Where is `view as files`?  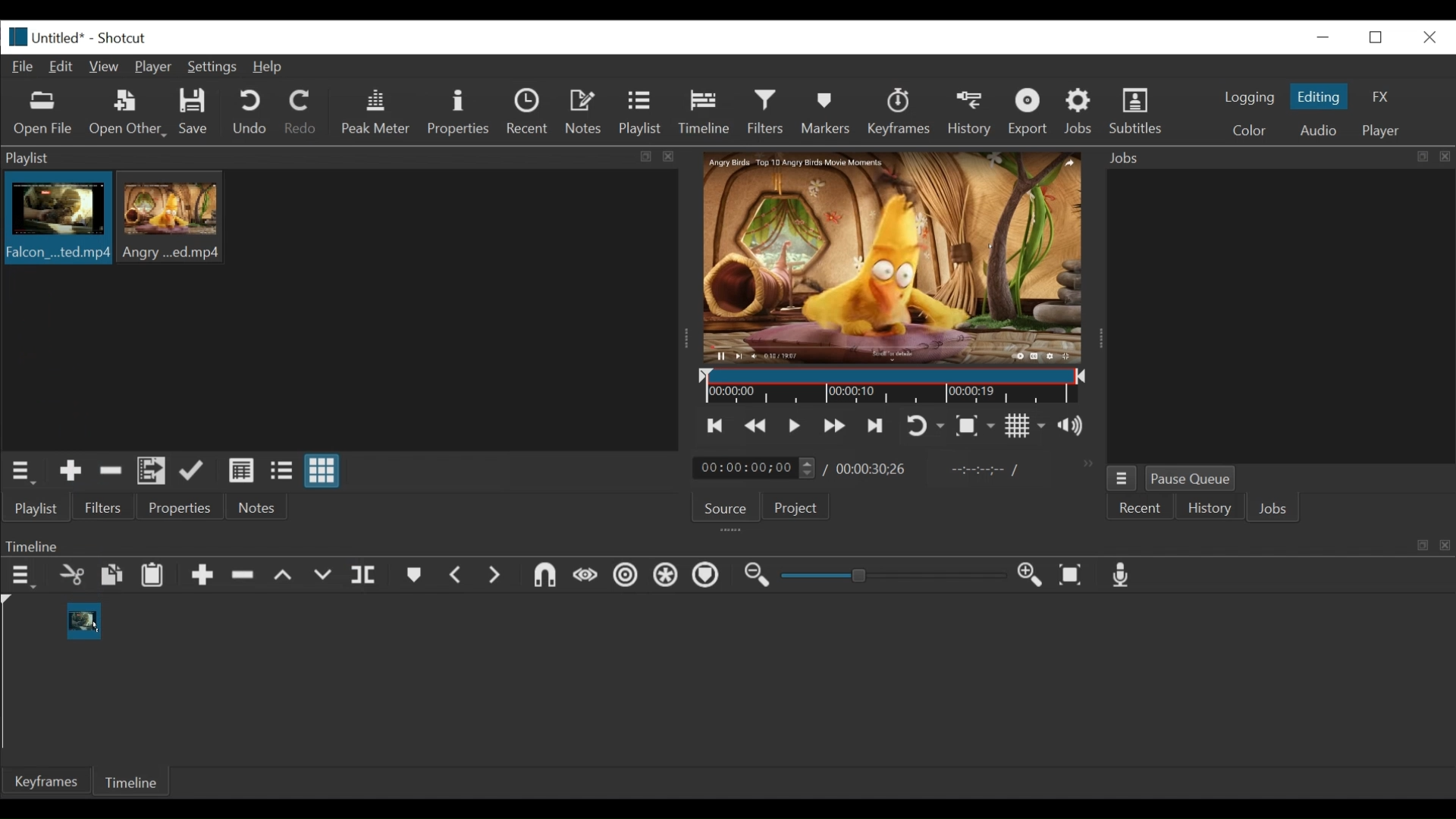
view as files is located at coordinates (283, 470).